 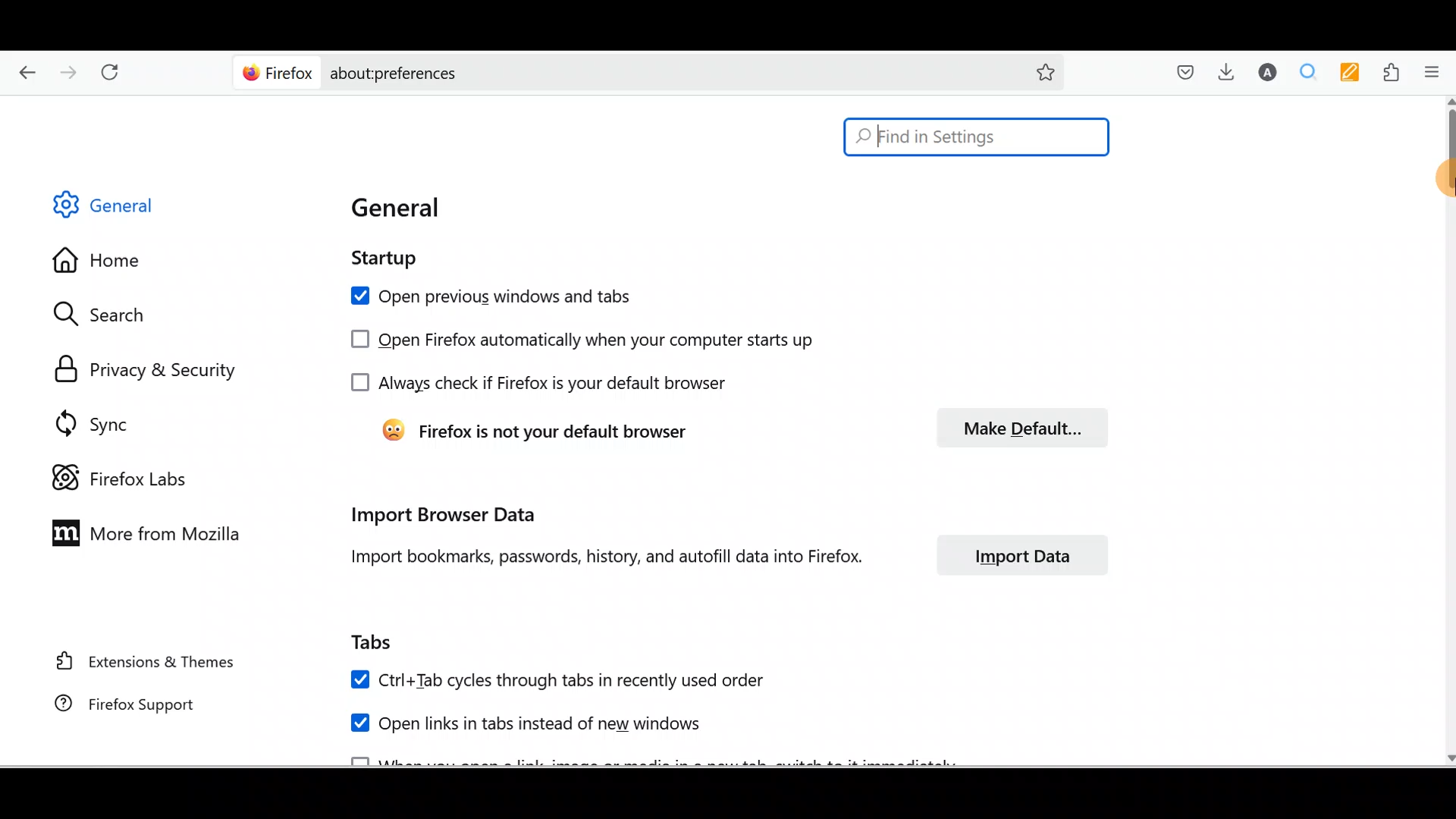 What do you see at coordinates (442, 514) in the screenshot?
I see `Import browser data` at bounding box center [442, 514].